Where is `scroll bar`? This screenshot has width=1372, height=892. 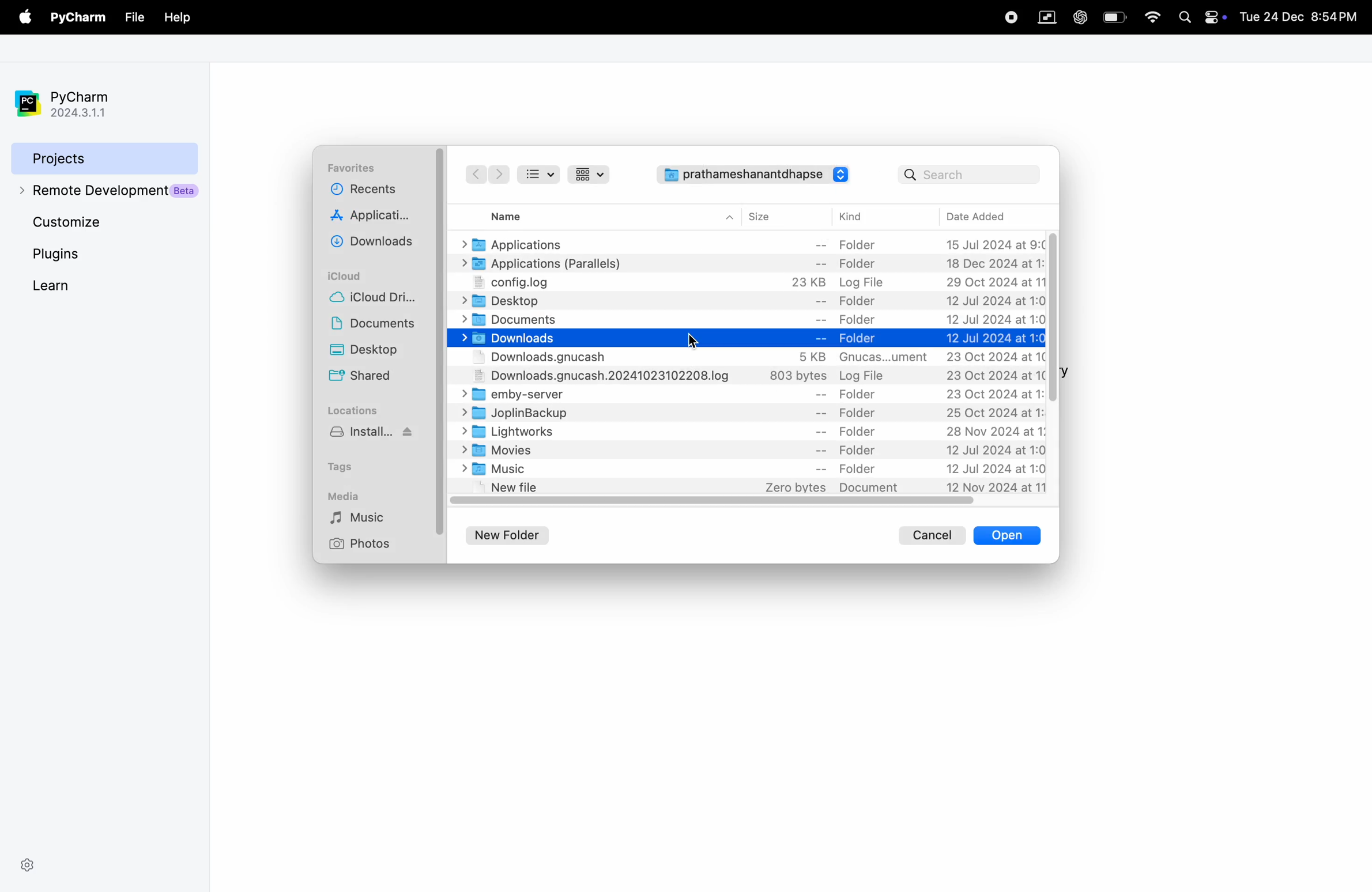
scroll bar is located at coordinates (1054, 317).